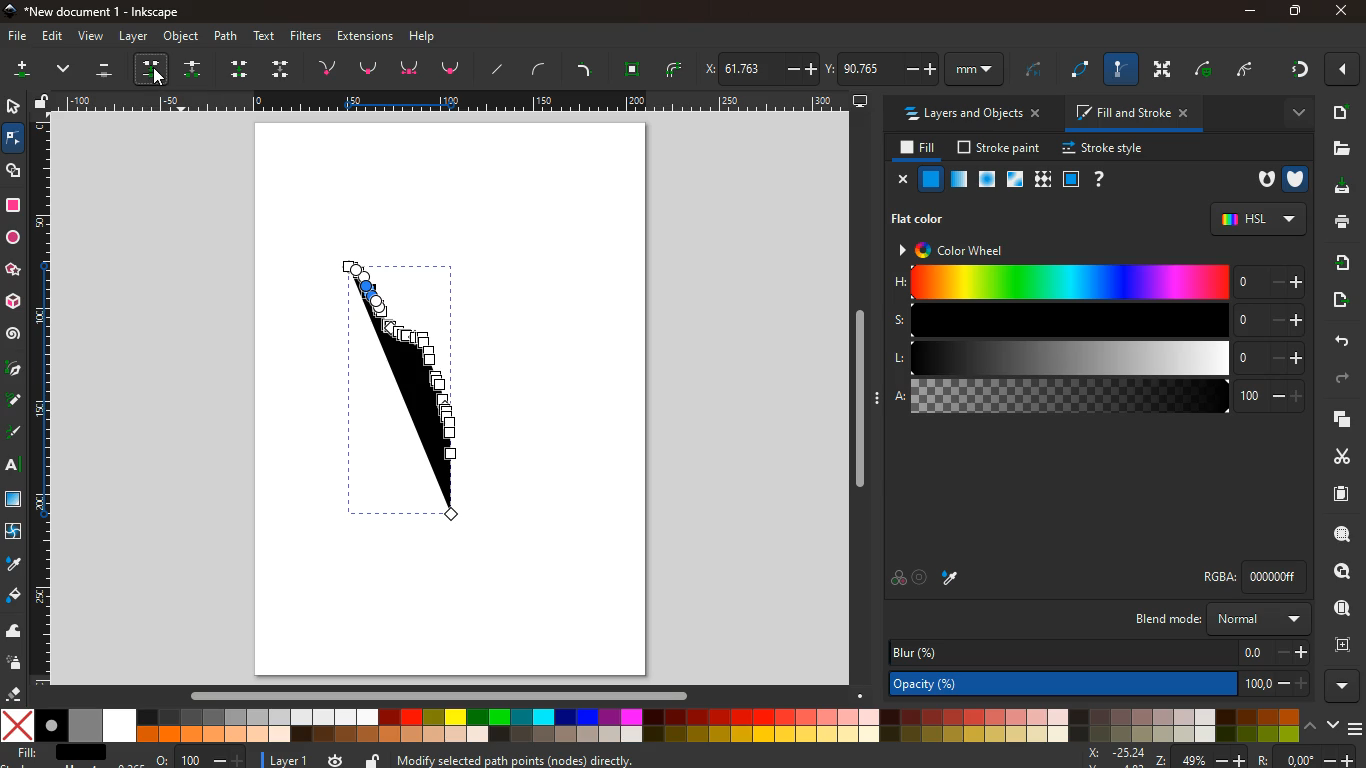  Describe the element at coordinates (1208, 69) in the screenshot. I see `curve` at that location.